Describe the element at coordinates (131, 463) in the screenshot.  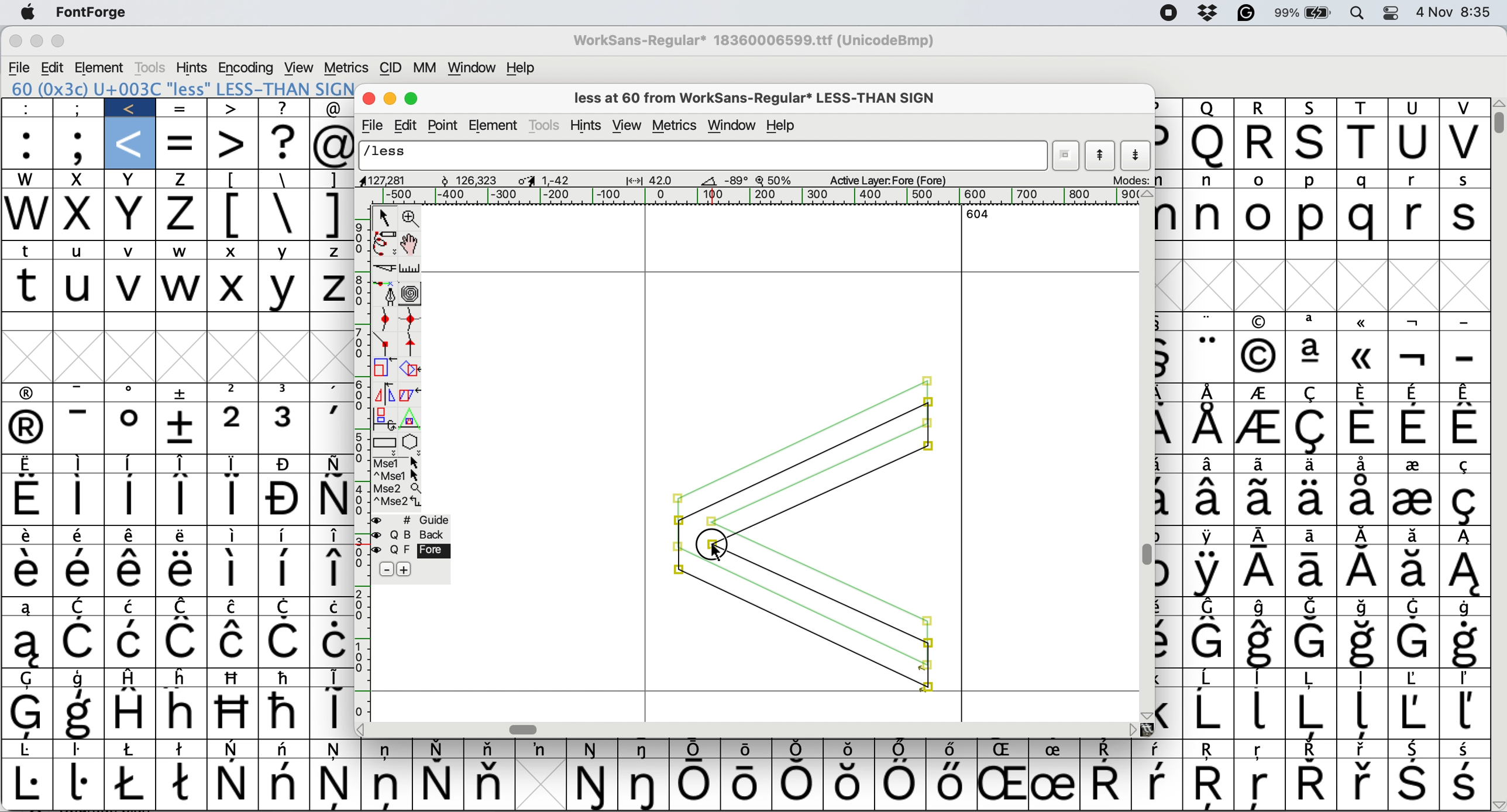
I see `Symbol` at that location.